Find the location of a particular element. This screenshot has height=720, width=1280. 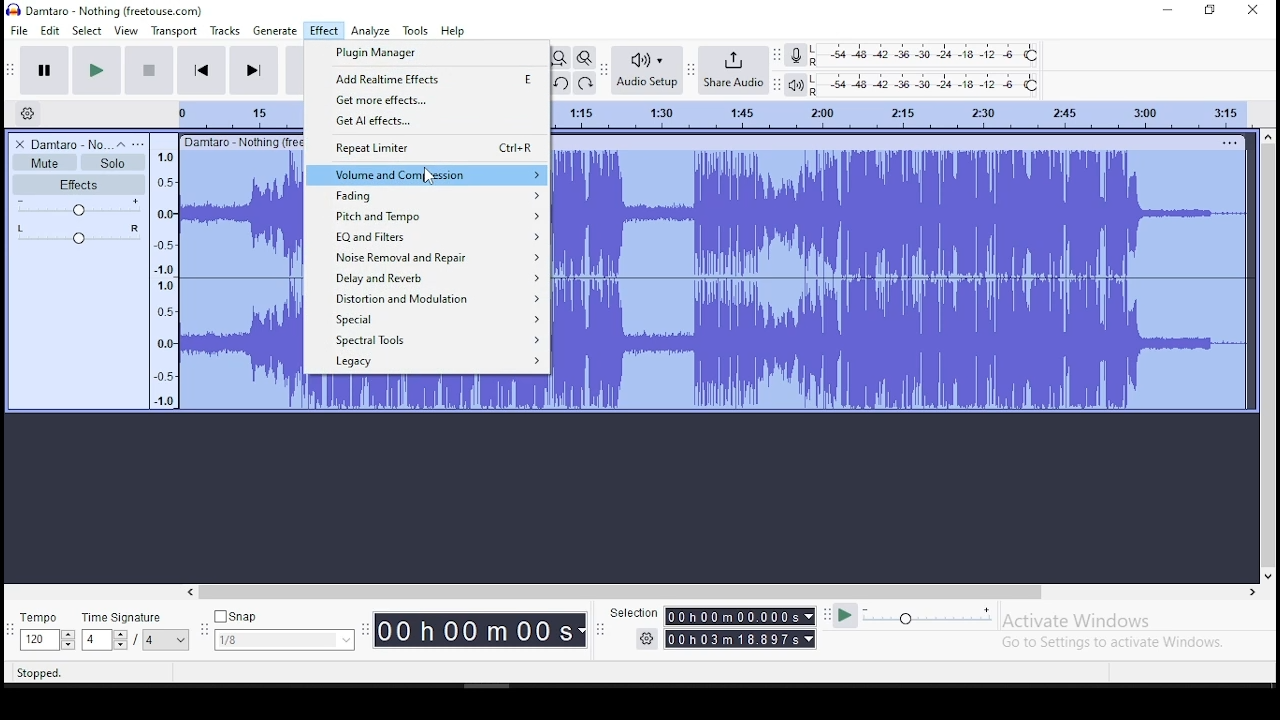

playback speed is located at coordinates (913, 618).